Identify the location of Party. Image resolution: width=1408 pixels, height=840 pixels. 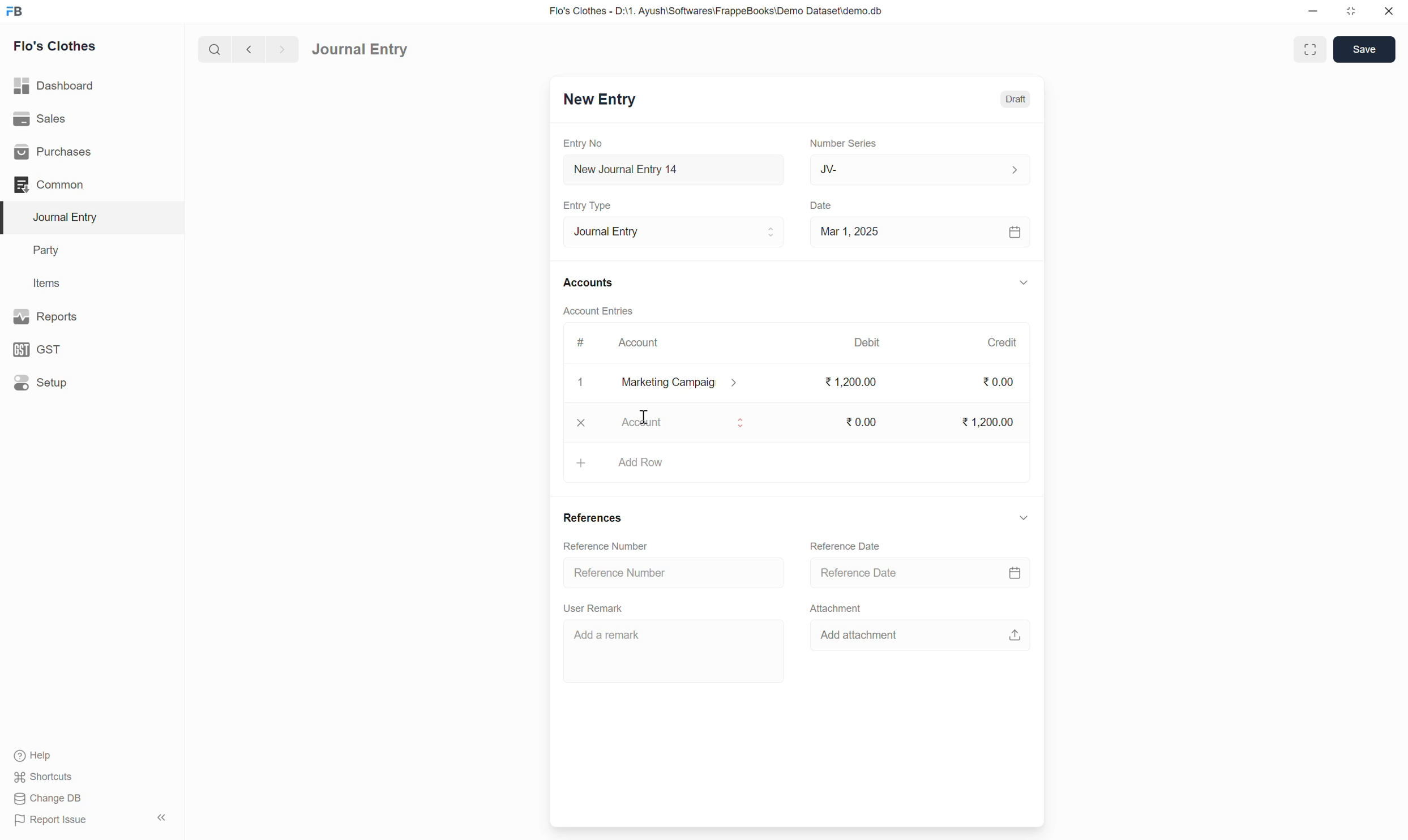
(49, 251).